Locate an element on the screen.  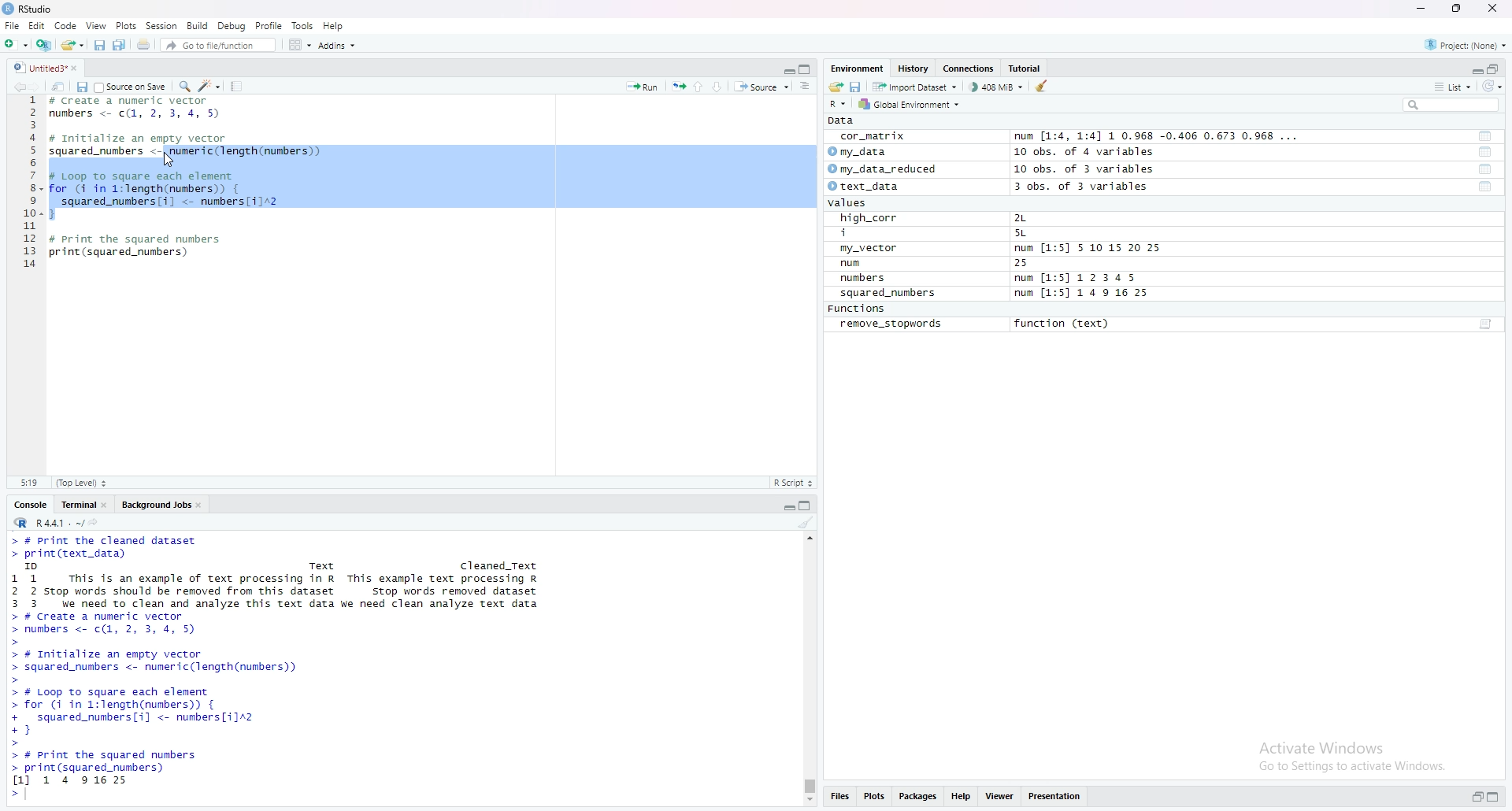
File is located at coordinates (12, 25).